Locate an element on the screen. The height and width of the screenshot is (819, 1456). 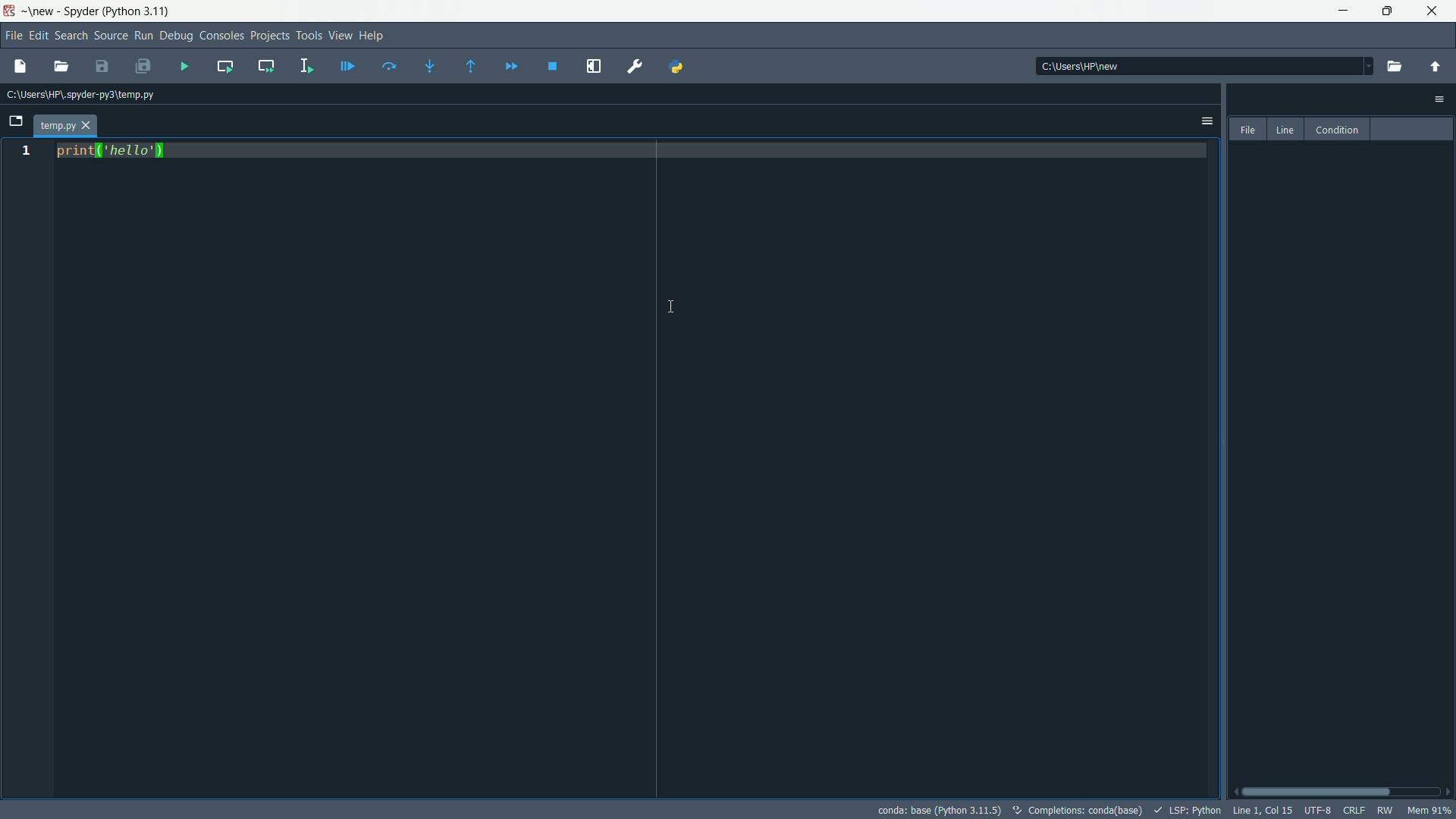
new is located at coordinates (42, 11).